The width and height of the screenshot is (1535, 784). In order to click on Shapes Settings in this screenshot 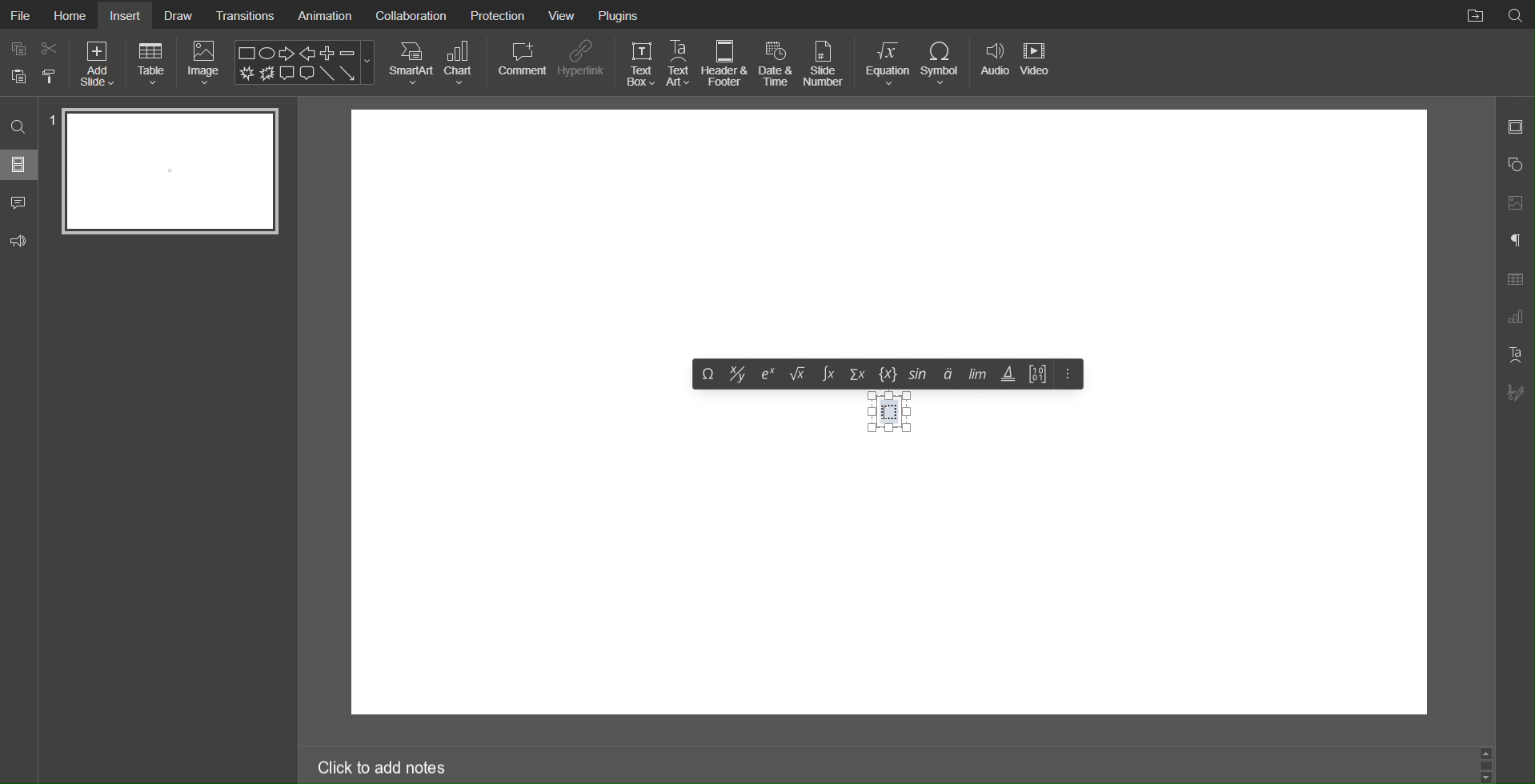, I will do `click(1514, 166)`.